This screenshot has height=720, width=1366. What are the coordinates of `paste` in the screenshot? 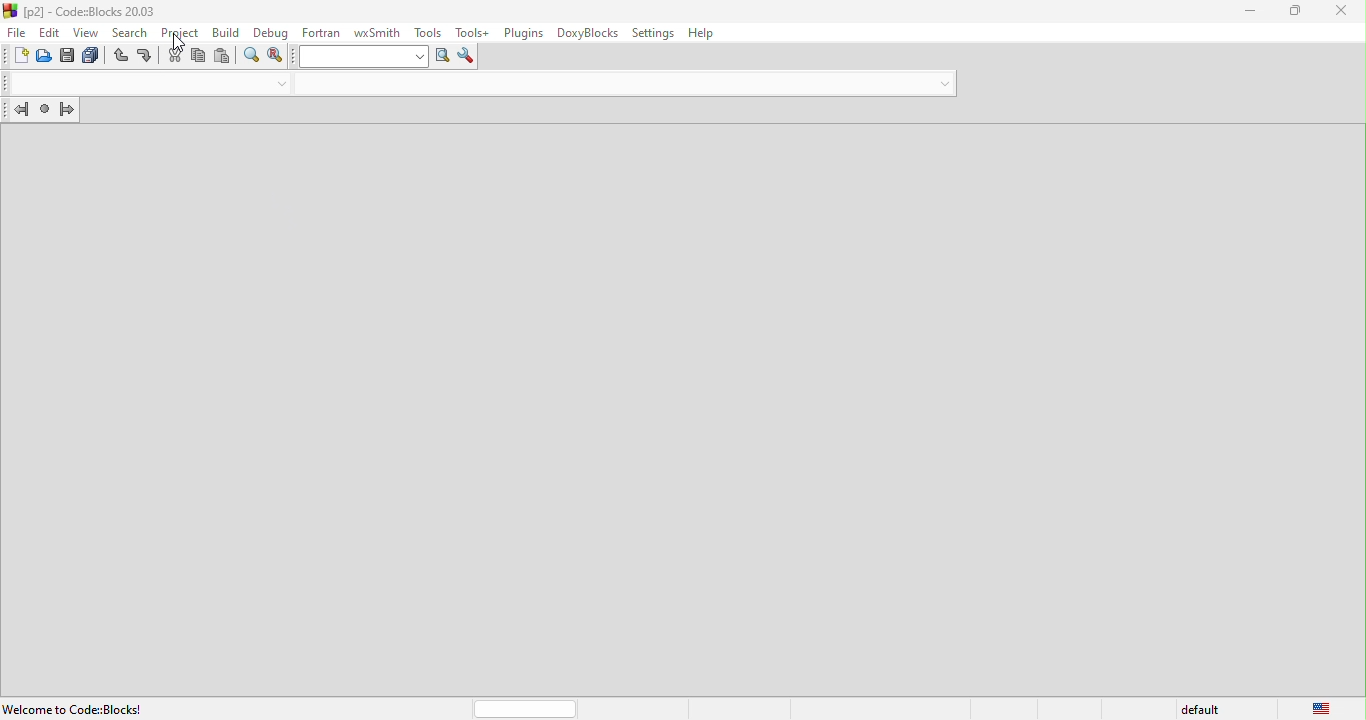 It's located at (222, 57).